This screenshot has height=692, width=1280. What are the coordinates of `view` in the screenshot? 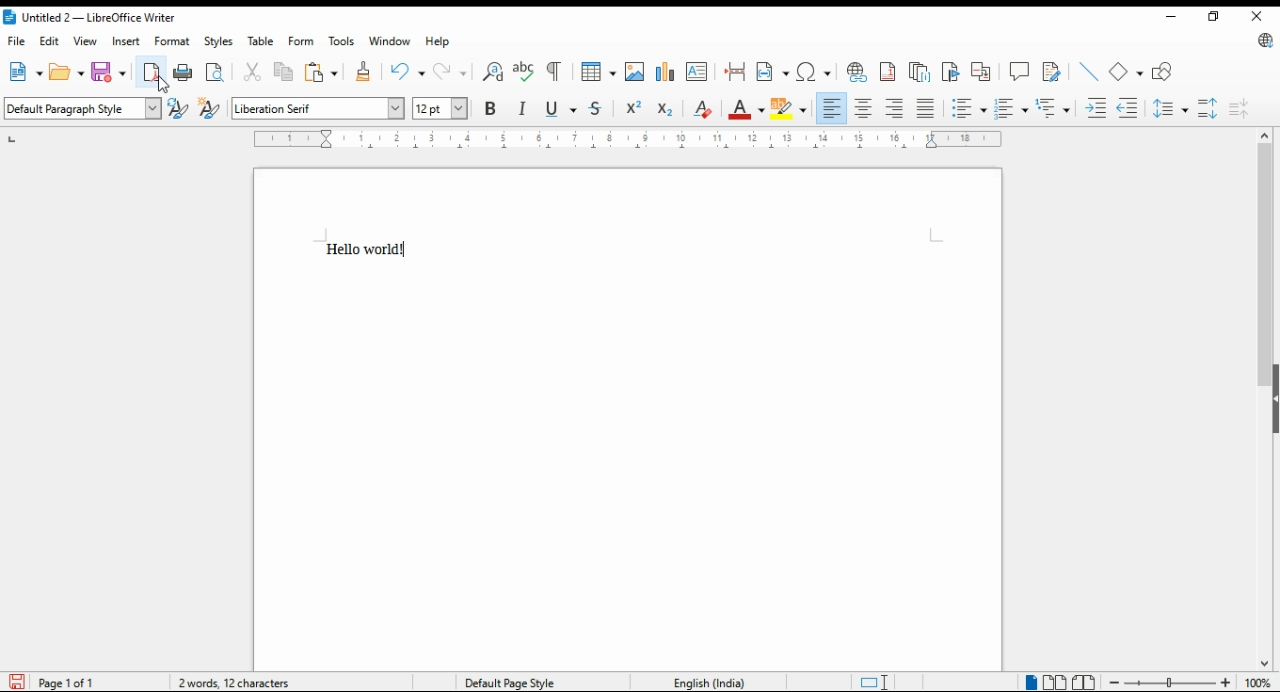 It's located at (86, 40).